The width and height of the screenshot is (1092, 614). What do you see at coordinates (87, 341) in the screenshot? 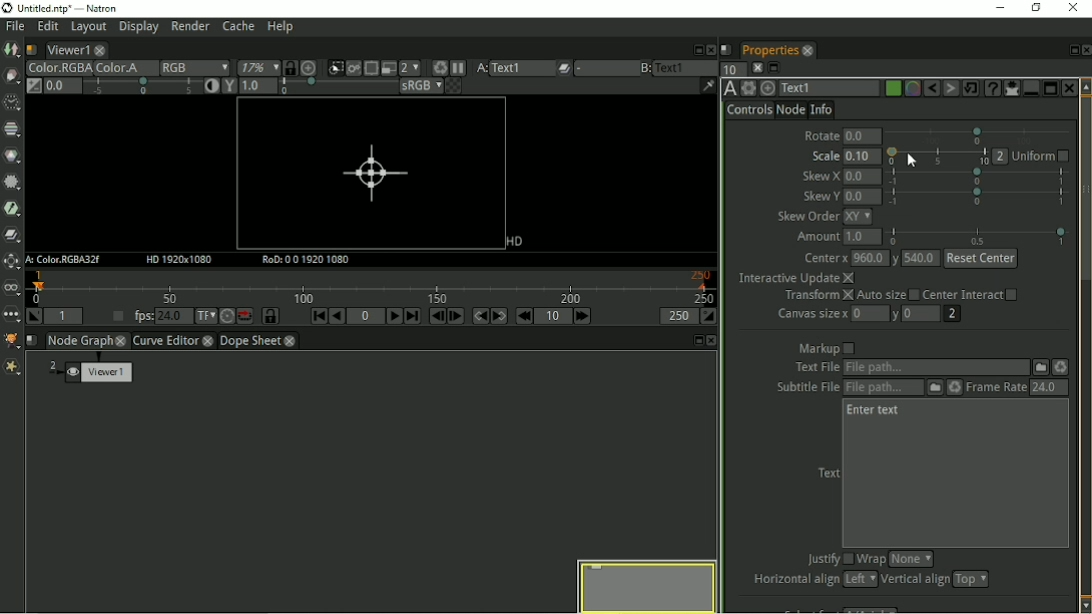
I see `Node graph` at bounding box center [87, 341].